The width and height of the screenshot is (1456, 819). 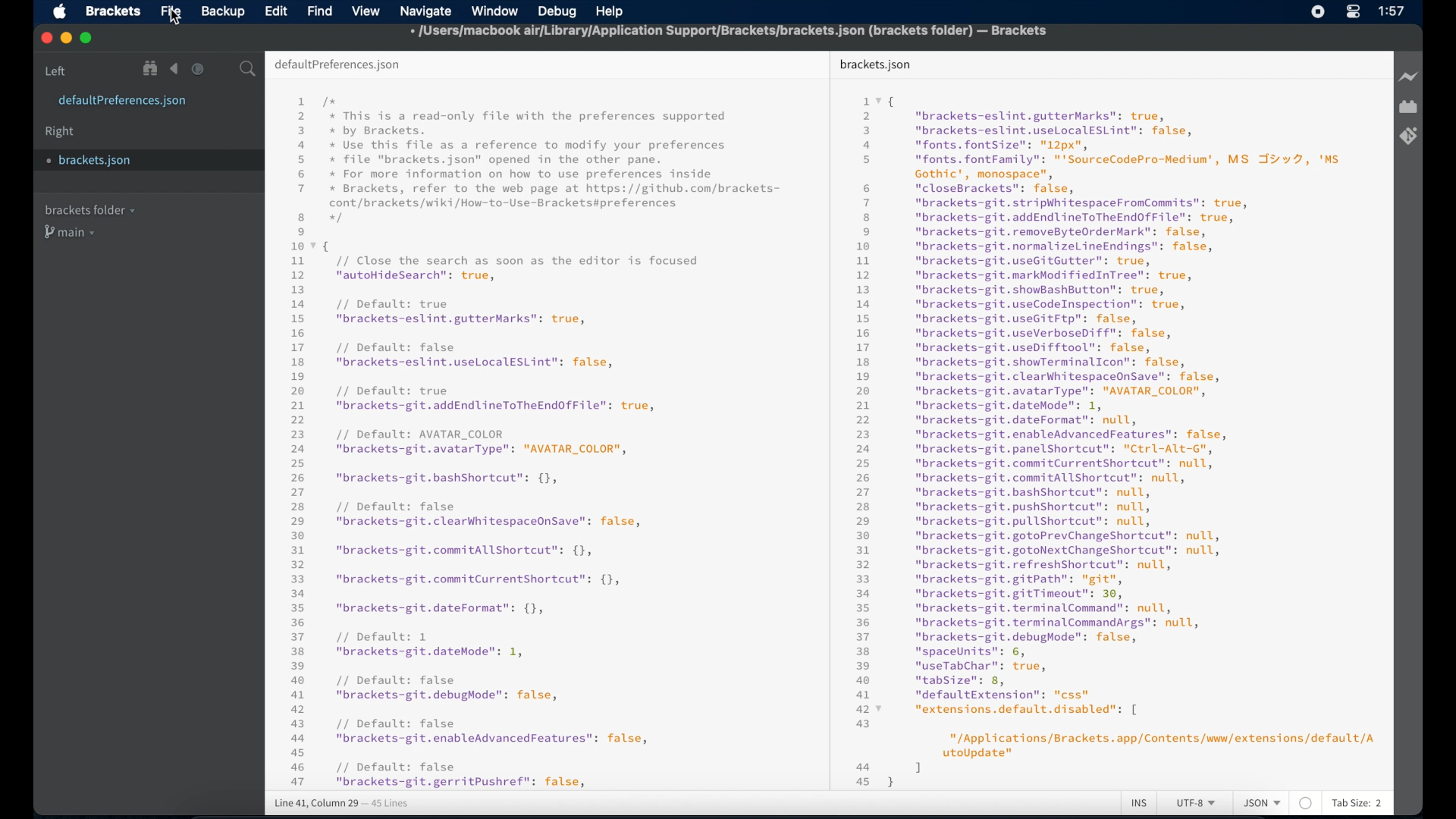 What do you see at coordinates (1305, 804) in the screenshot?
I see `no linter  available for this file` at bounding box center [1305, 804].